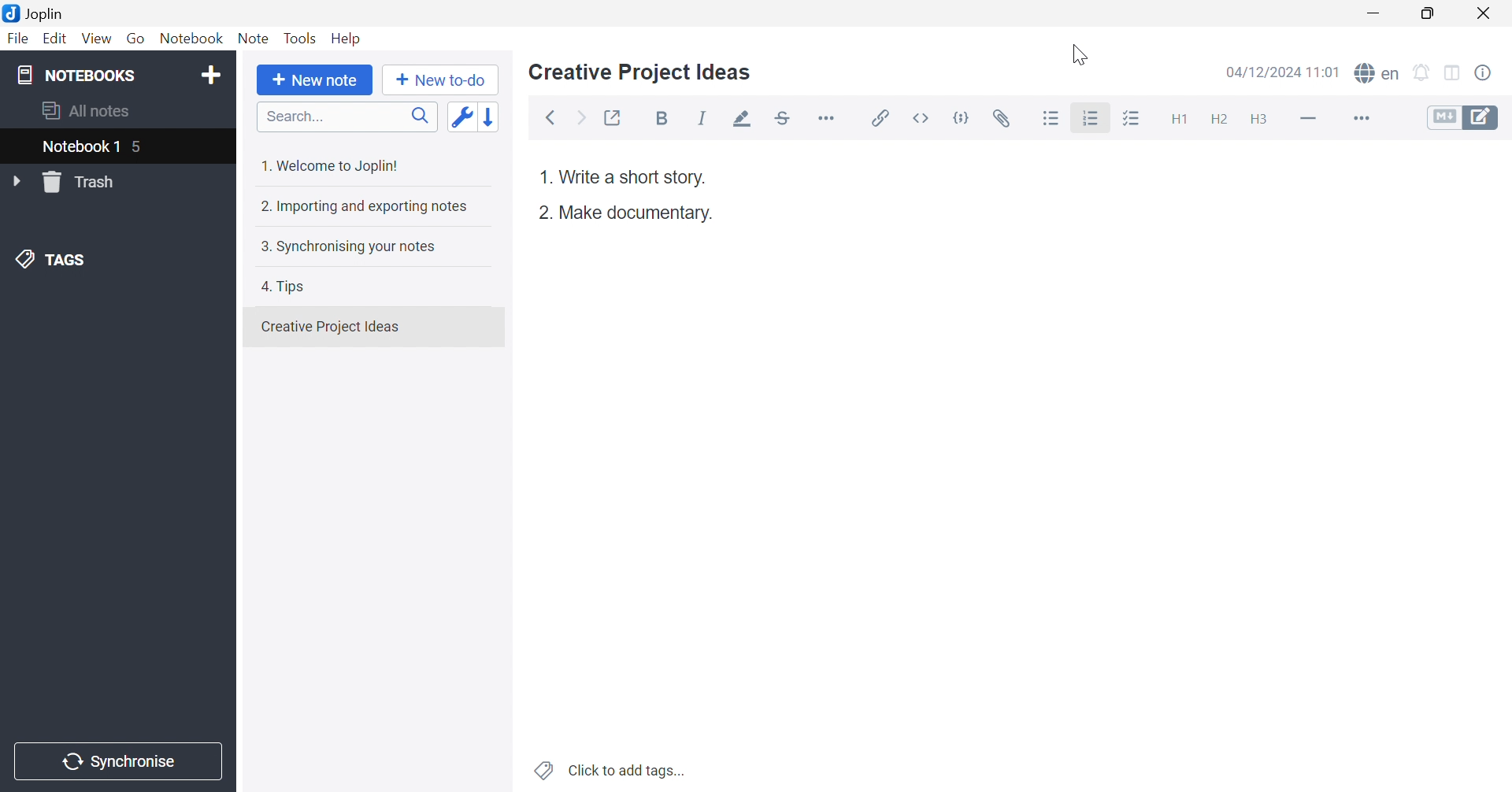 Image resolution: width=1512 pixels, height=792 pixels. I want to click on Insert / edit link, so click(881, 117).